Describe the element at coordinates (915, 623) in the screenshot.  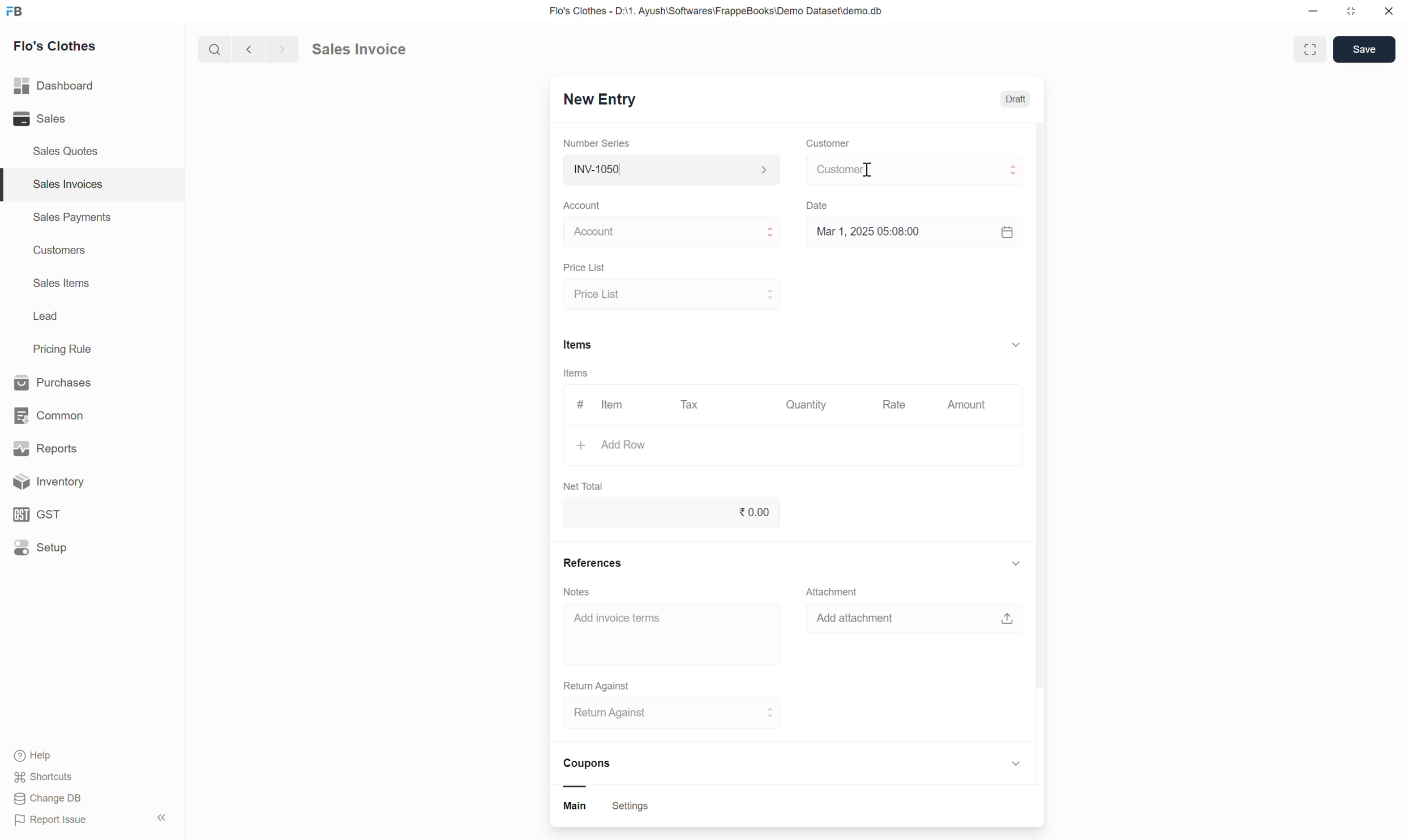
I see `add attachment ` at that location.